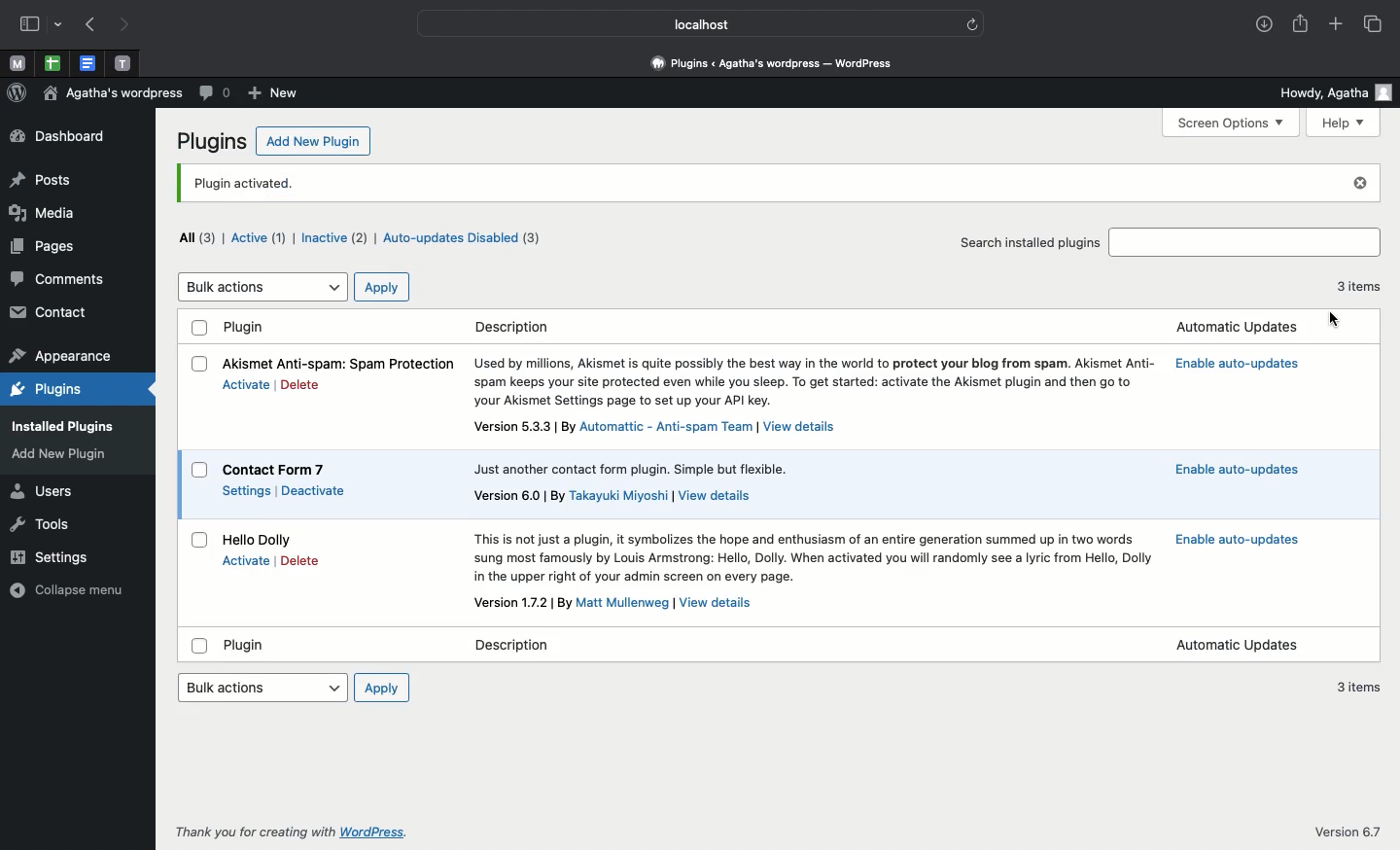 This screenshot has height=850, width=1400. What do you see at coordinates (1245, 472) in the screenshot?
I see `enable auto updates` at bounding box center [1245, 472].